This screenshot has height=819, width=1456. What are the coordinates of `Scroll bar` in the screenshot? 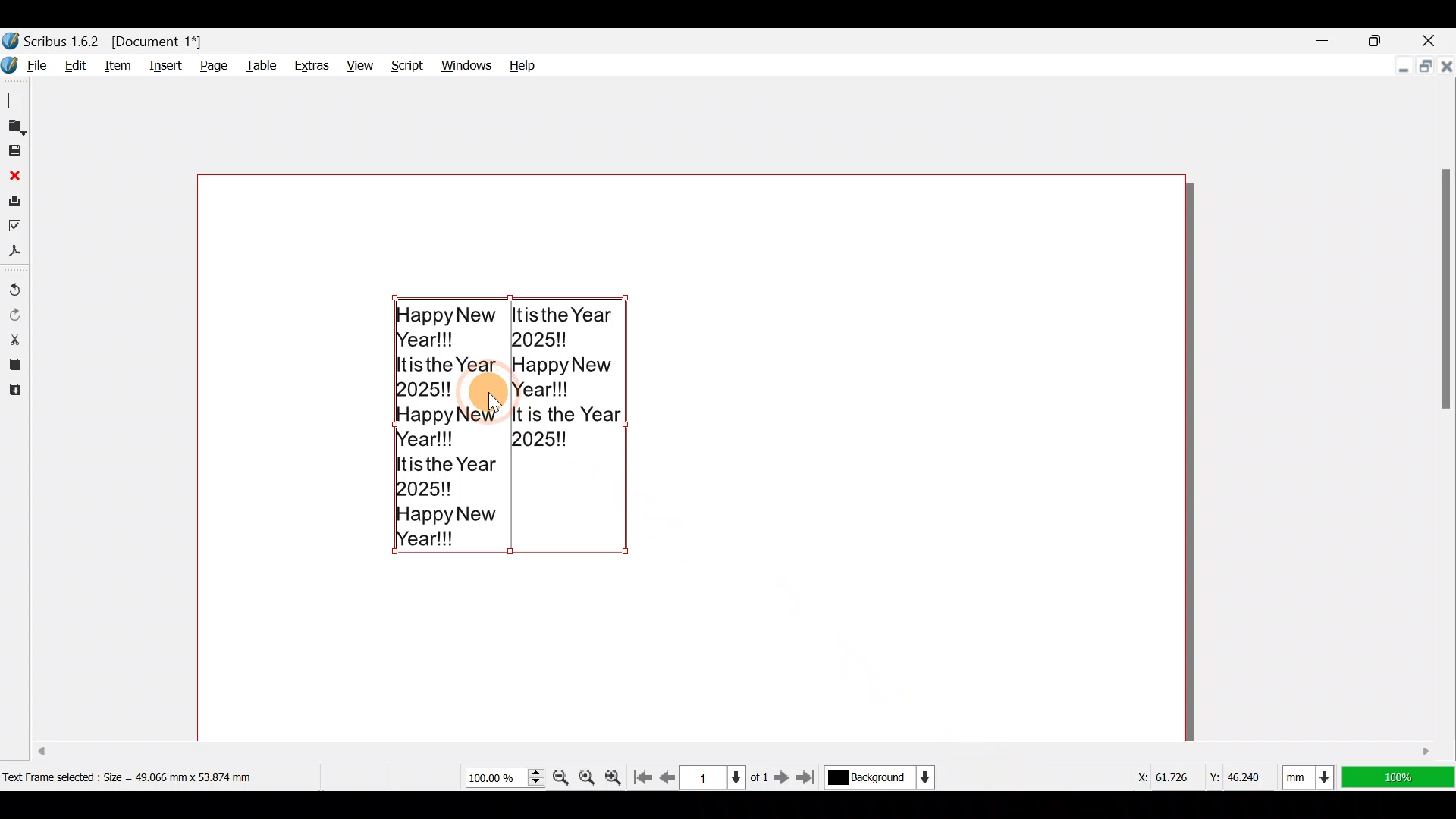 It's located at (613, 745).